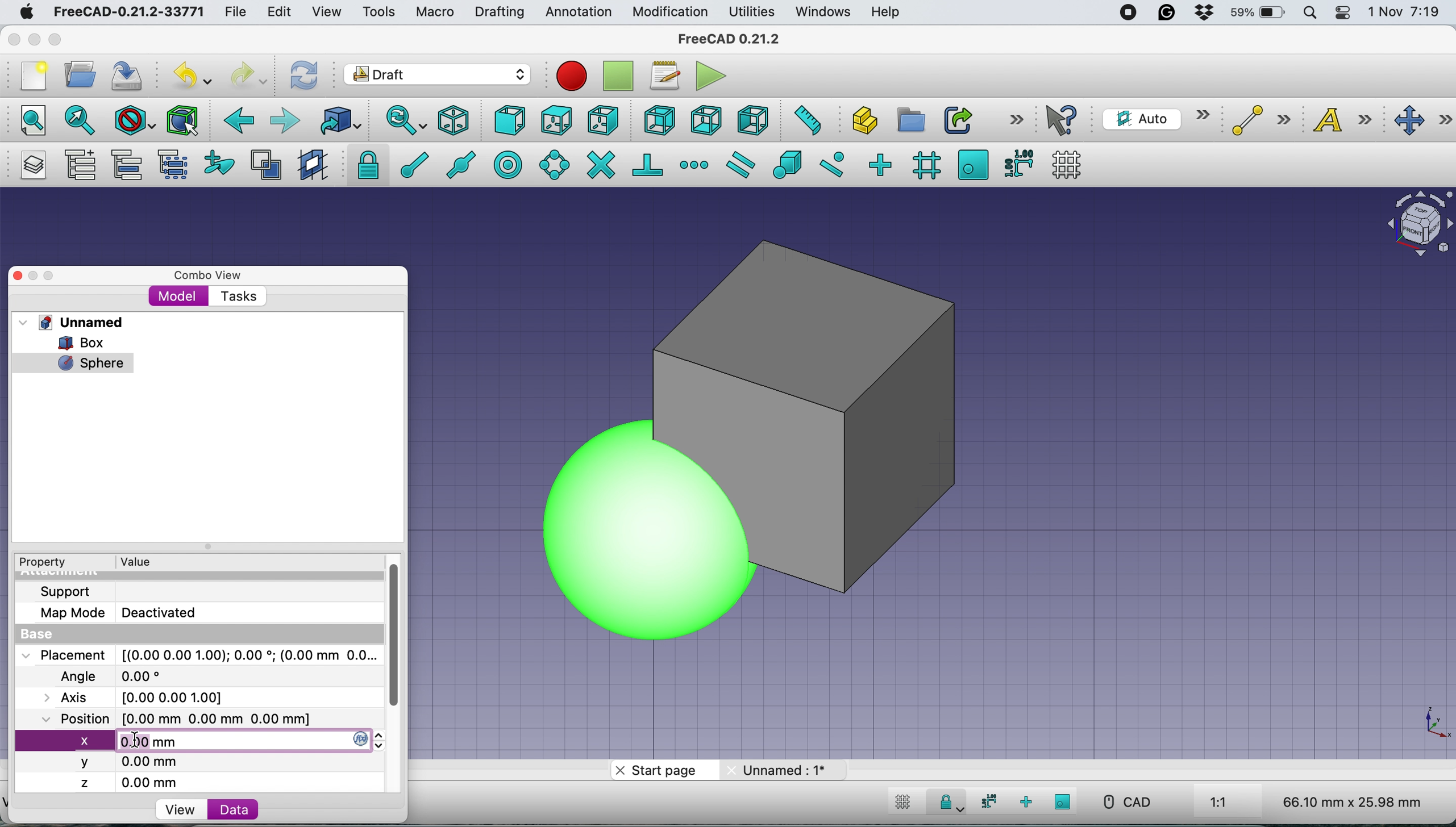 This screenshot has height=827, width=1456. What do you see at coordinates (900, 804) in the screenshot?
I see `toggle grid` at bounding box center [900, 804].